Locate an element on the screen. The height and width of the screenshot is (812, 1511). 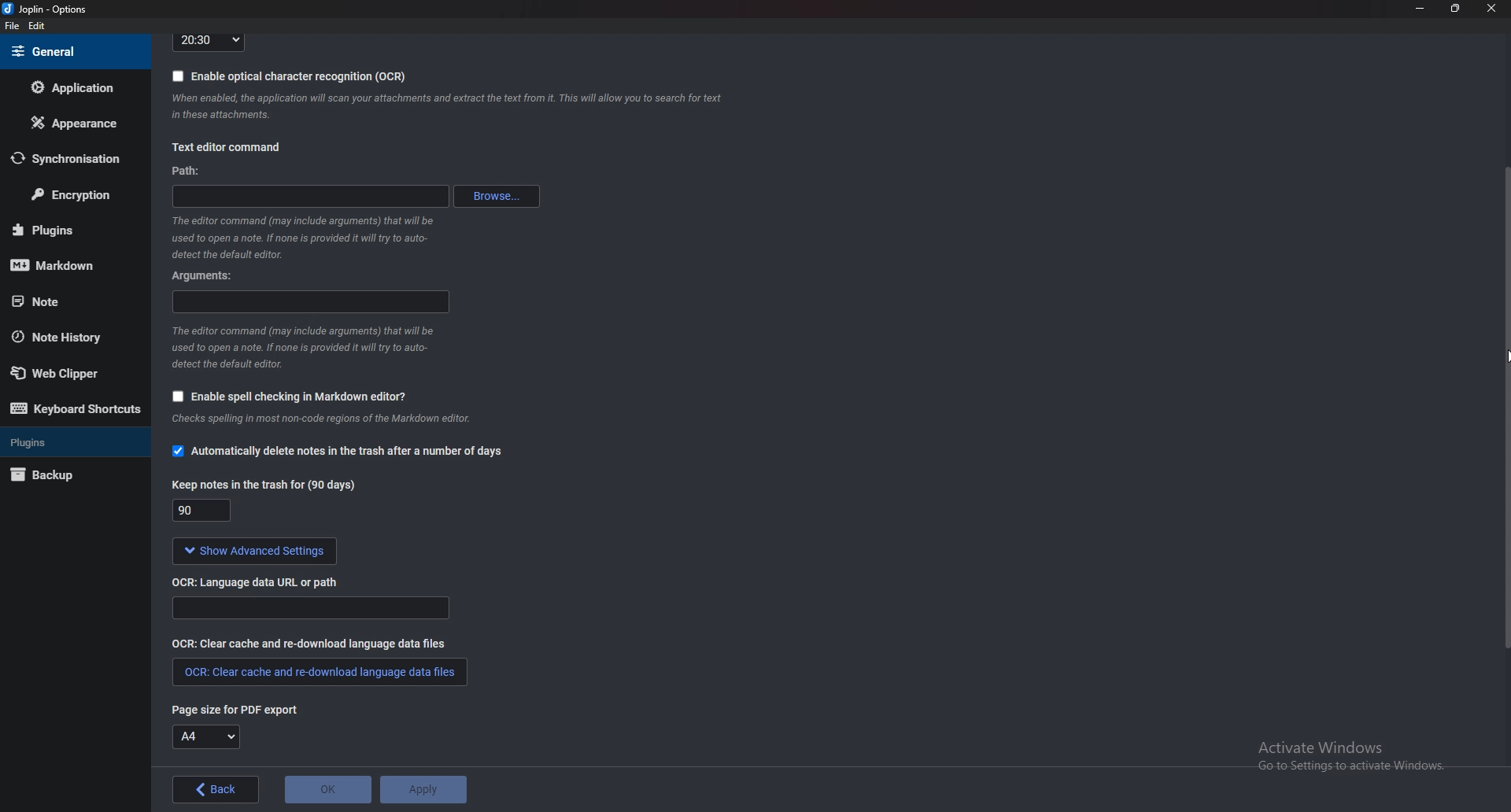
info on ocr is located at coordinates (448, 106).